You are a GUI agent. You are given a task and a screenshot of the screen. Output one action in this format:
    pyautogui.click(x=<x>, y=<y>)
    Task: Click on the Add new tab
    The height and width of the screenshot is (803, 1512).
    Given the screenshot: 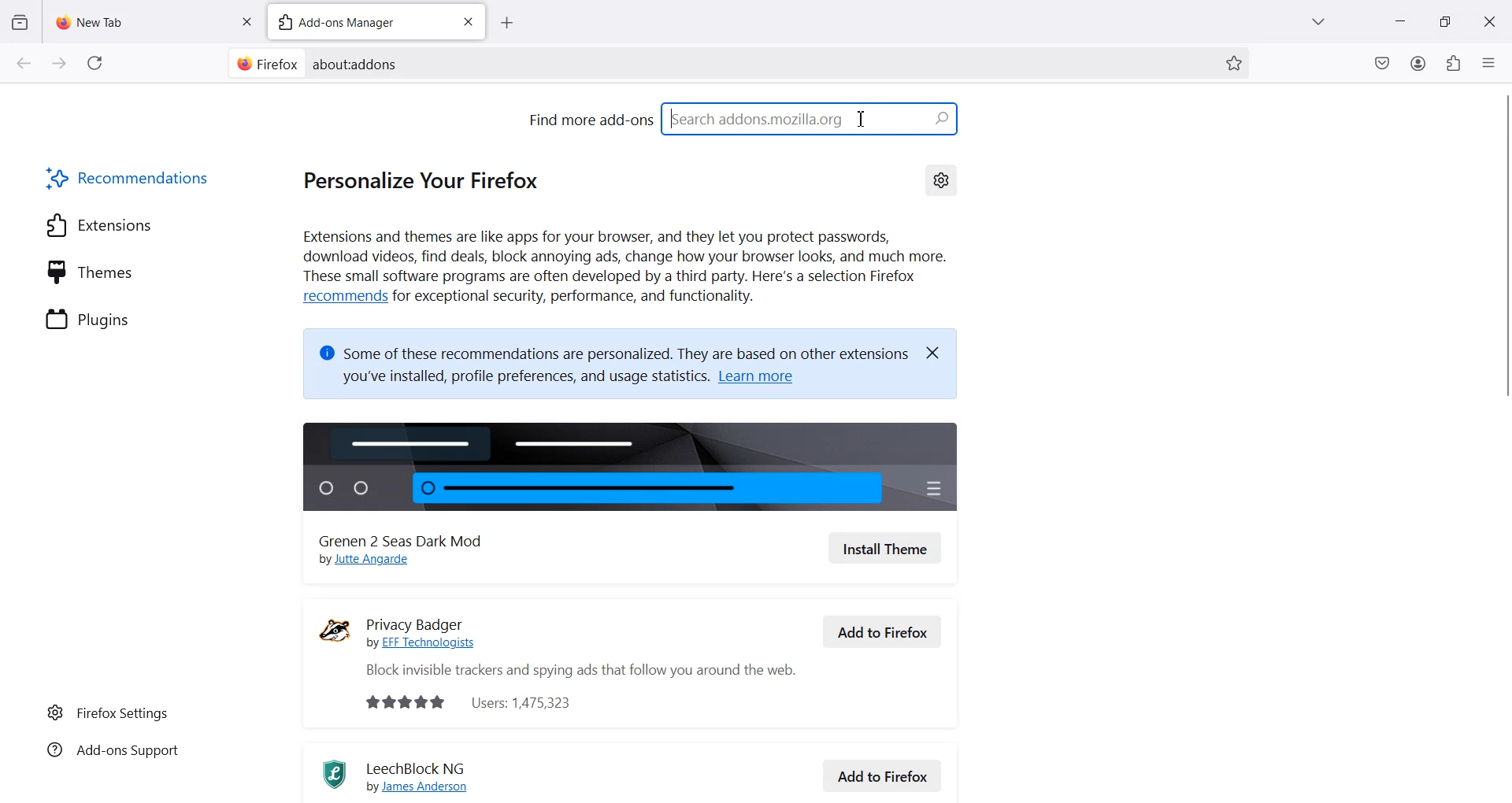 What is the action you would take?
    pyautogui.click(x=506, y=23)
    